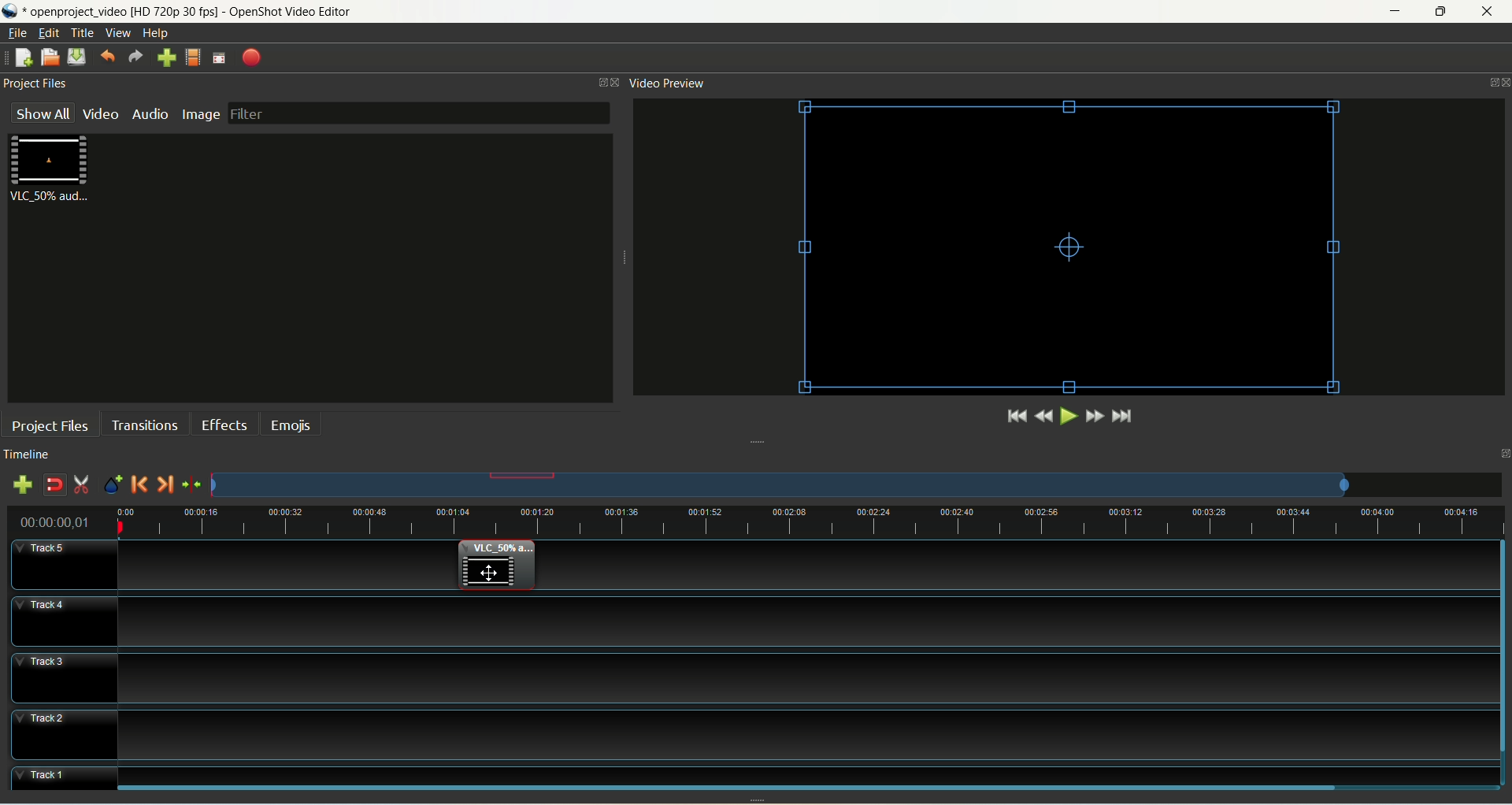 The image size is (1512, 805). What do you see at coordinates (12, 11) in the screenshot?
I see `logo` at bounding box center [12, 11].